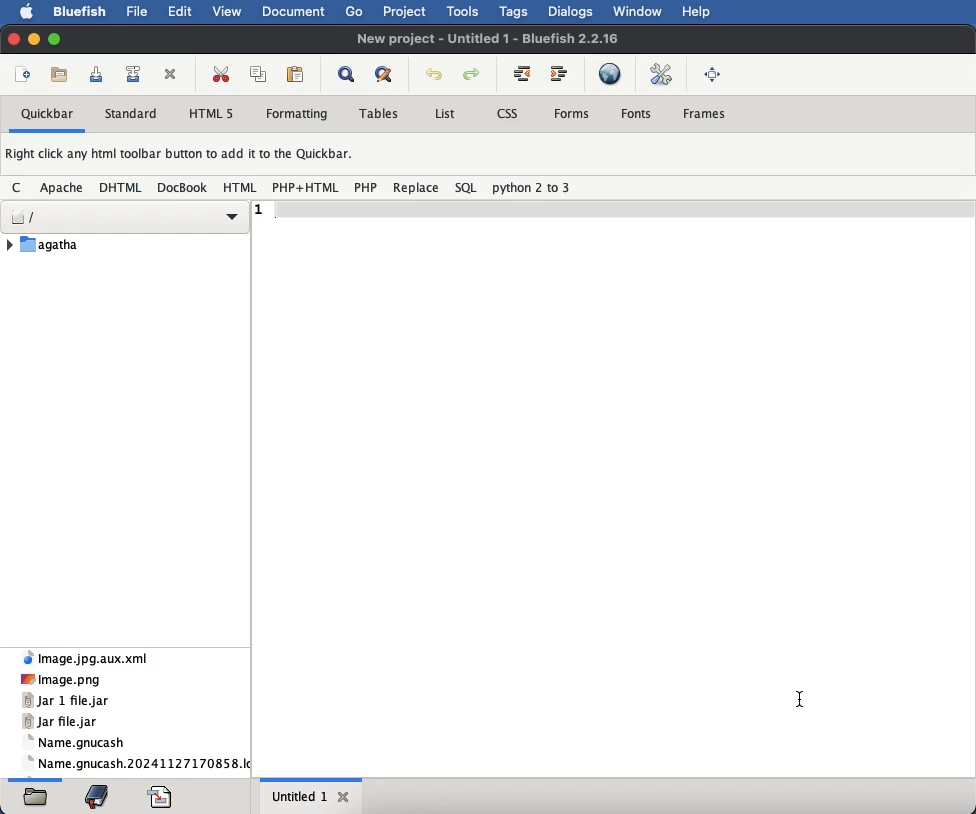 The height and width of the screenshot is (814, 976). I want to click on html, so click(240, 187).